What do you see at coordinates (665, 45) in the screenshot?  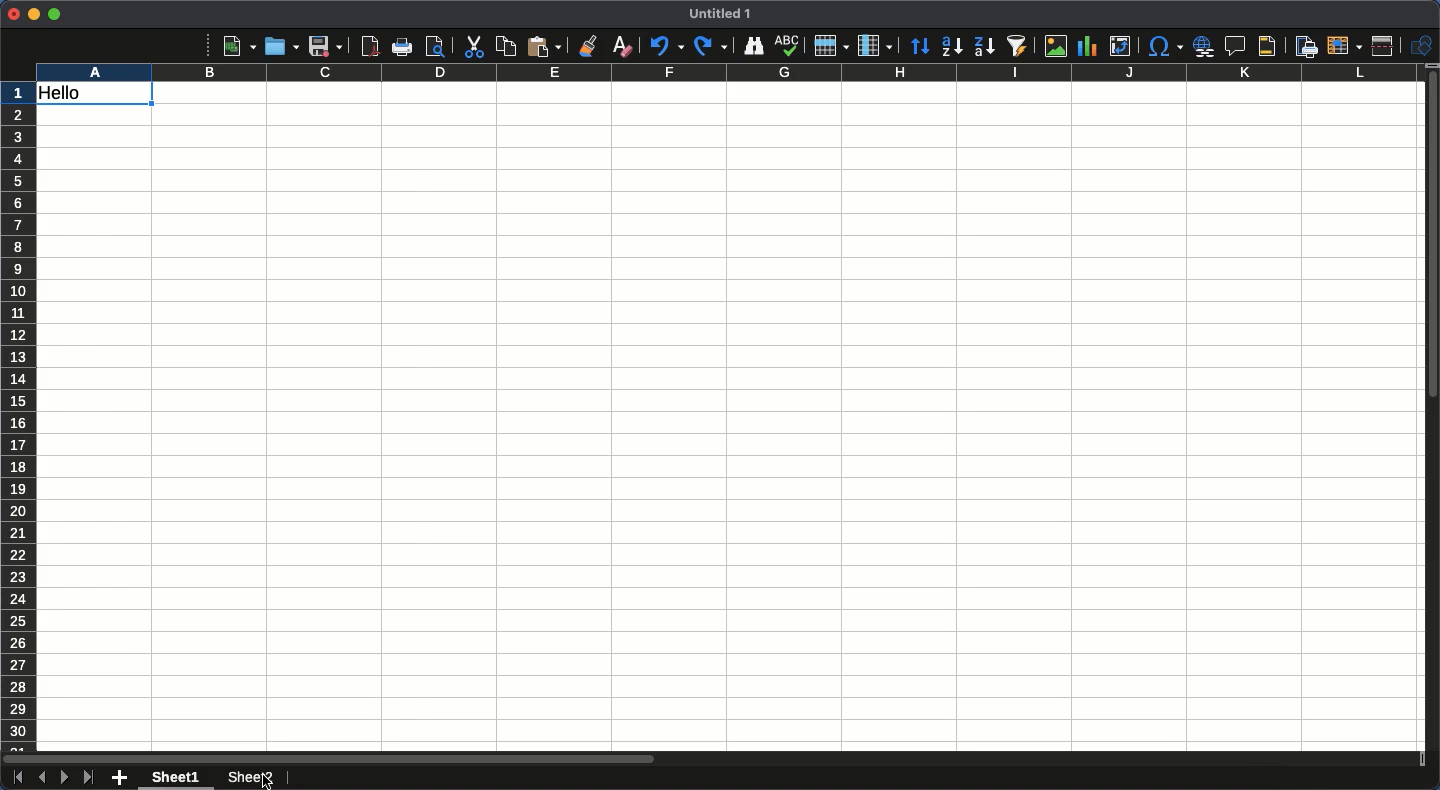 I see `Undo` at bounding box center [665, 45].